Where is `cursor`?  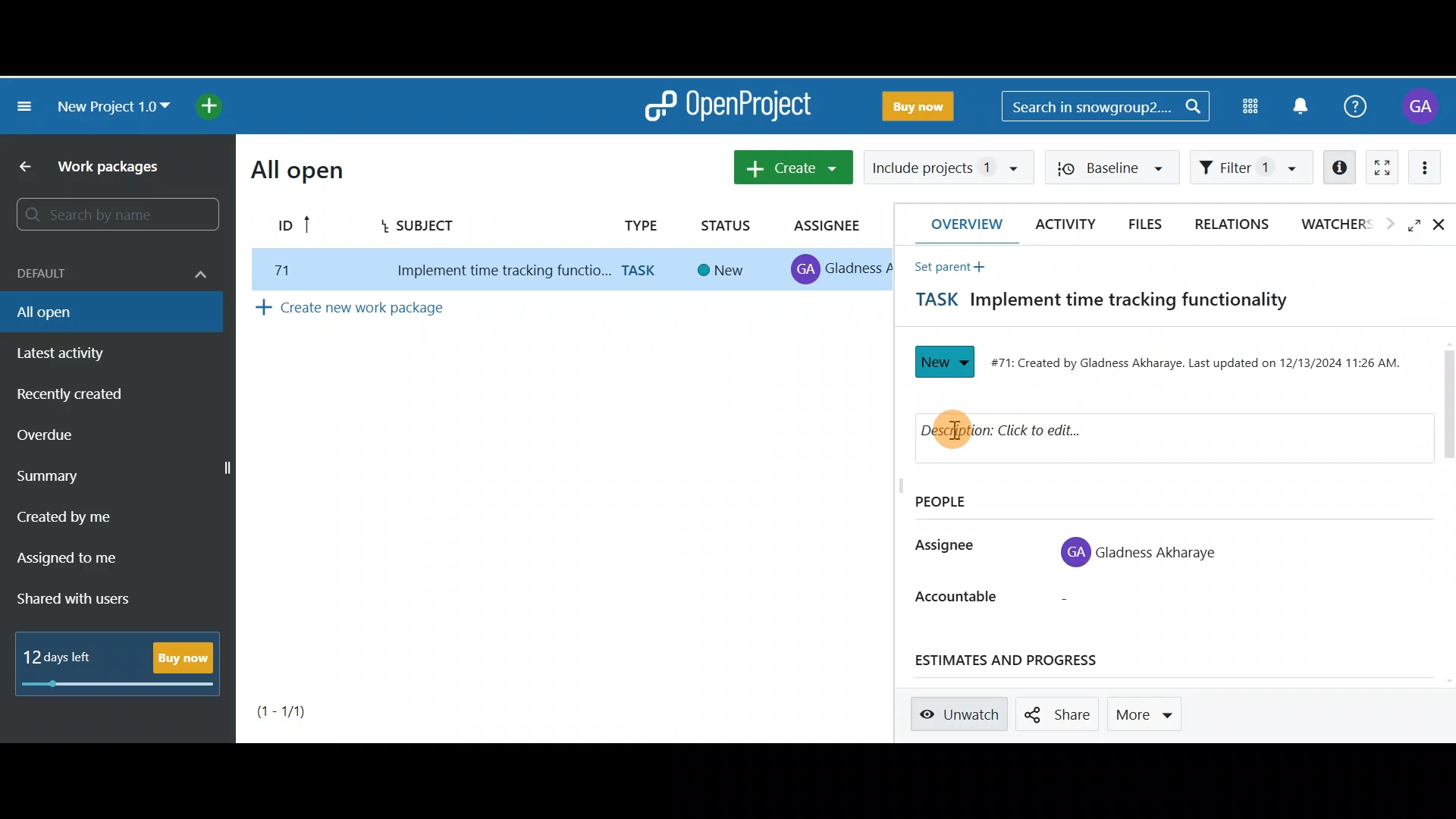
cursor is located at coordinates (960, 431).